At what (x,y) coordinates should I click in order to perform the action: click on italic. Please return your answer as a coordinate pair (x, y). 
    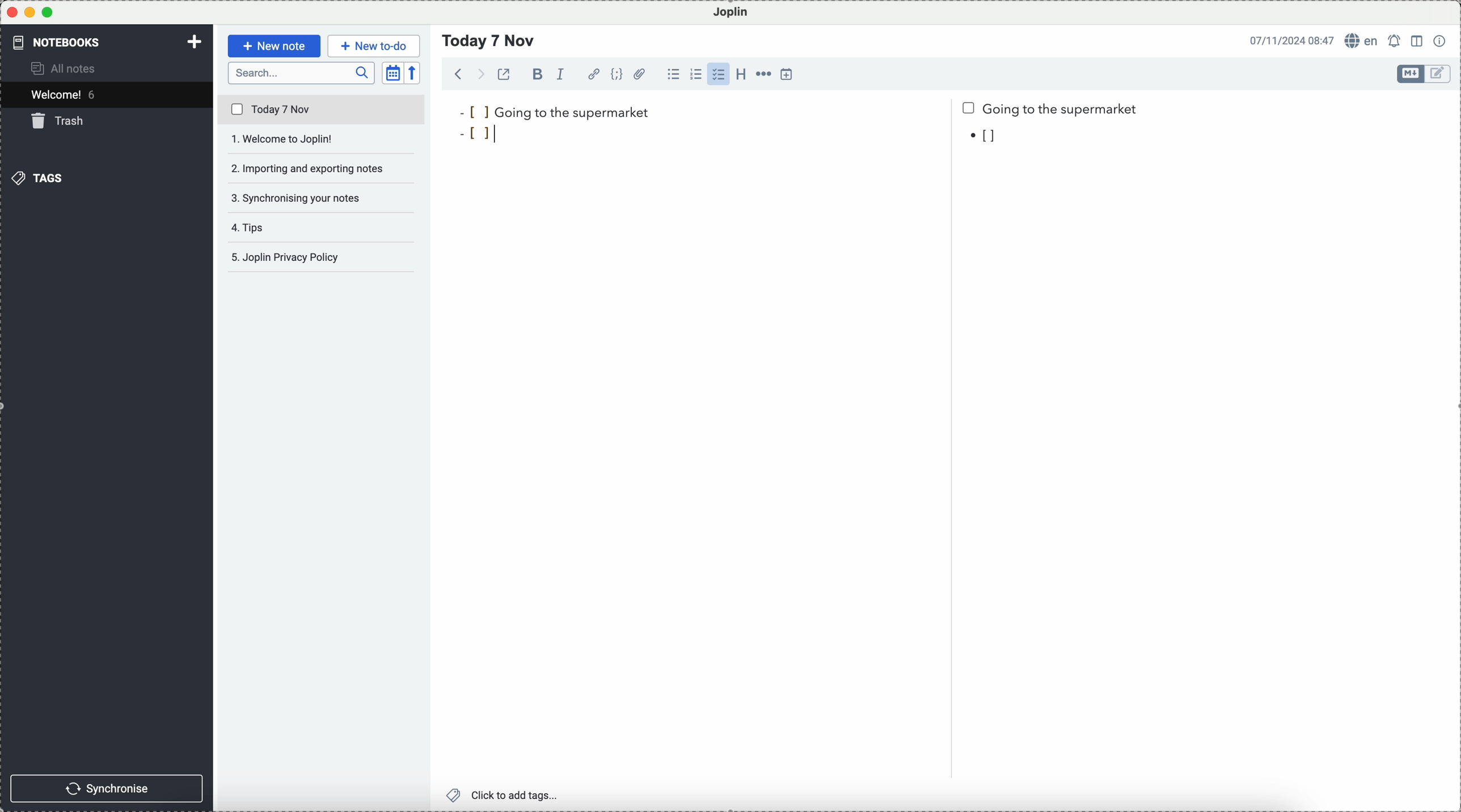
    Looking at the image, I should click on (561, 74).